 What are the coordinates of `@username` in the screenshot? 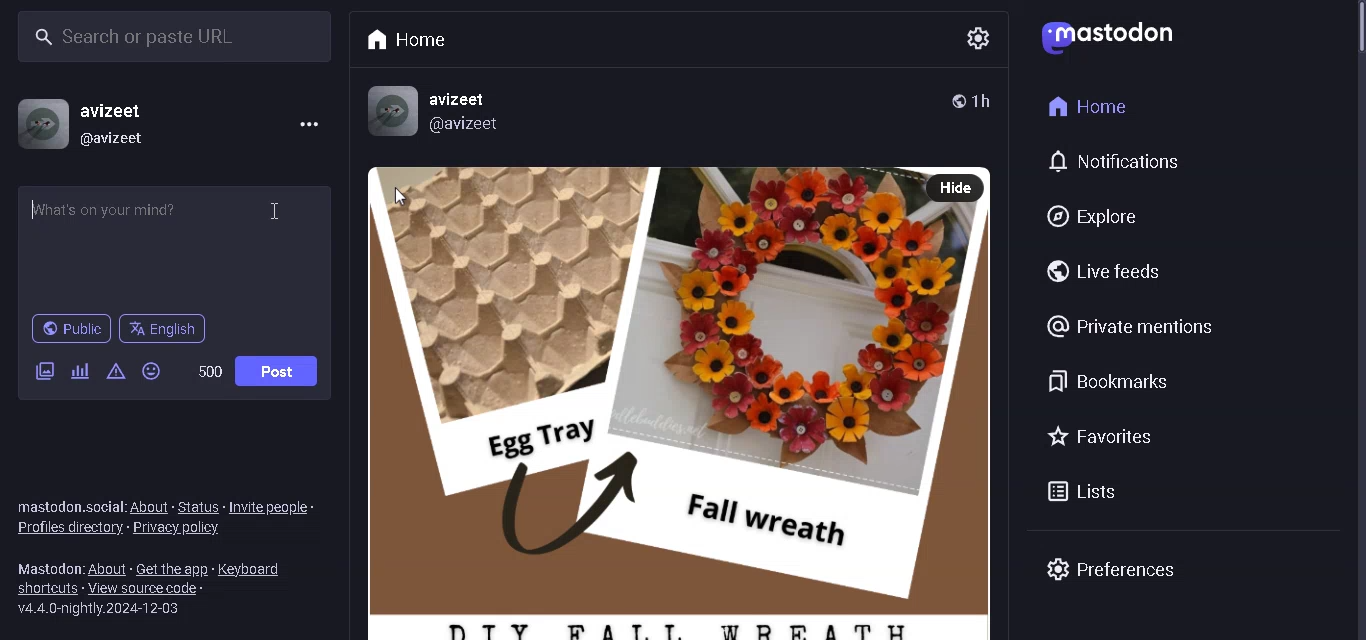 It's located at (479, 127).